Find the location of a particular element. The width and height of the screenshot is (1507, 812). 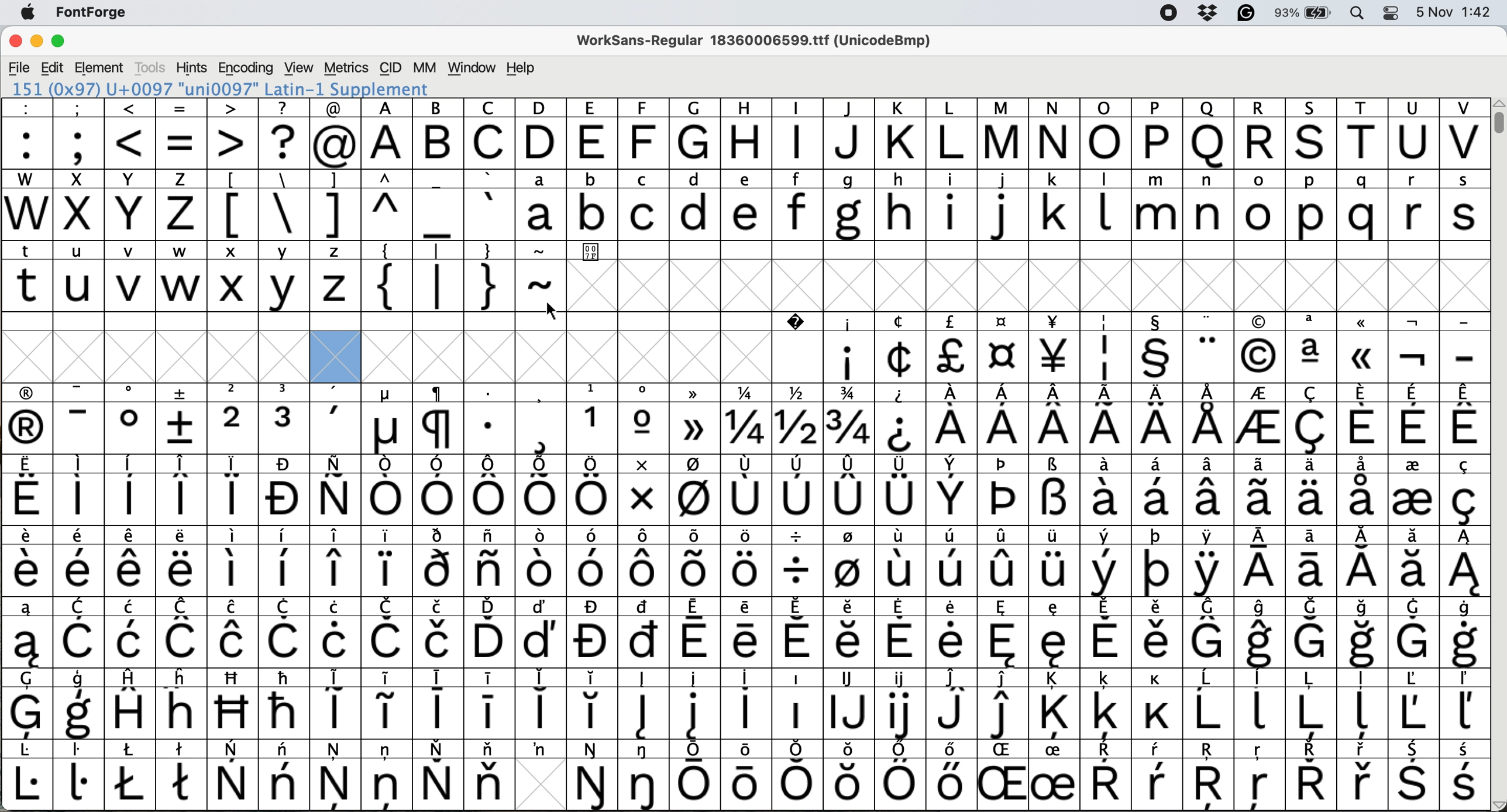

symbol is located at coordinates (78, 490).